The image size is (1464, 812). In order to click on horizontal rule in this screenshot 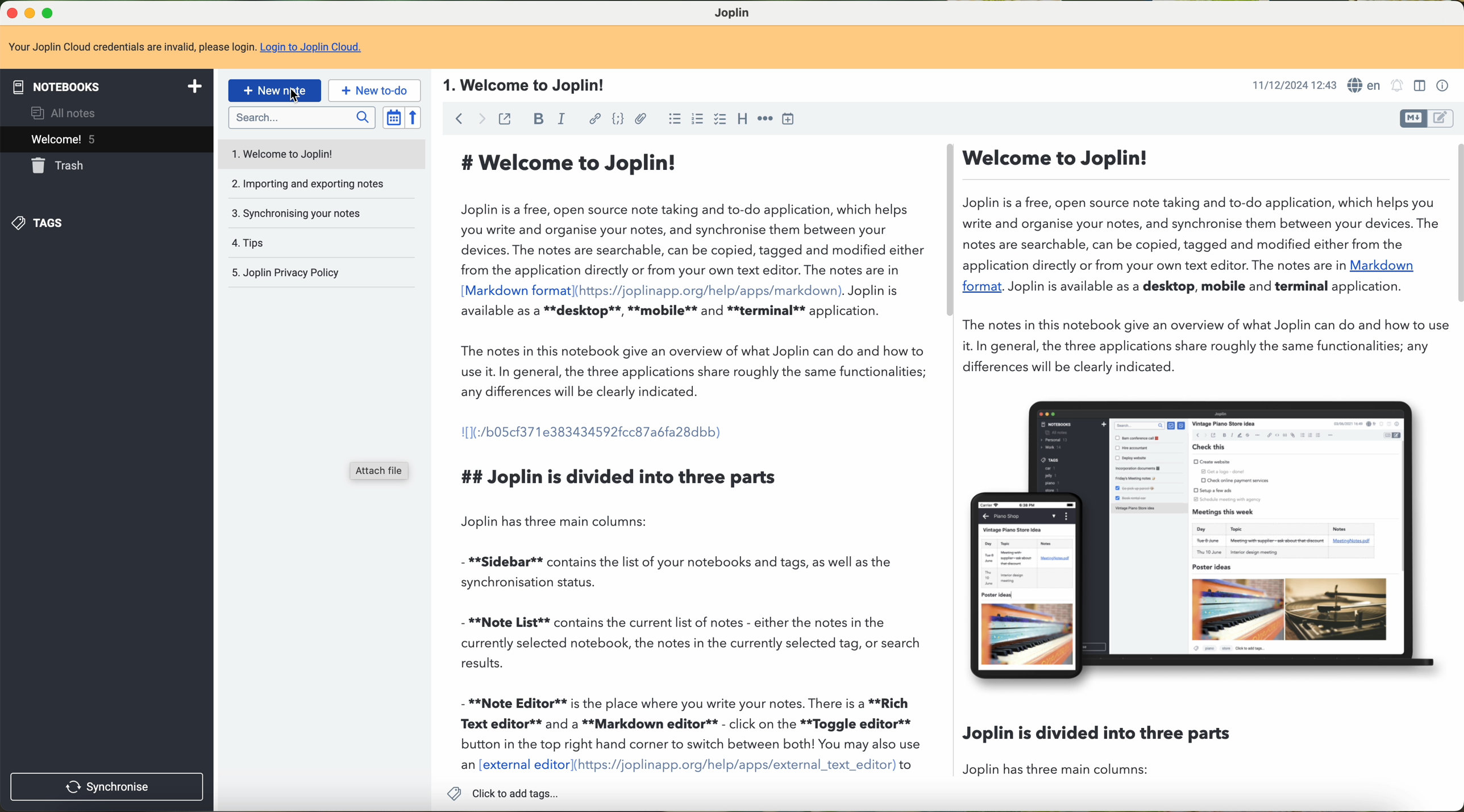, I will do `click(766, 119)`.